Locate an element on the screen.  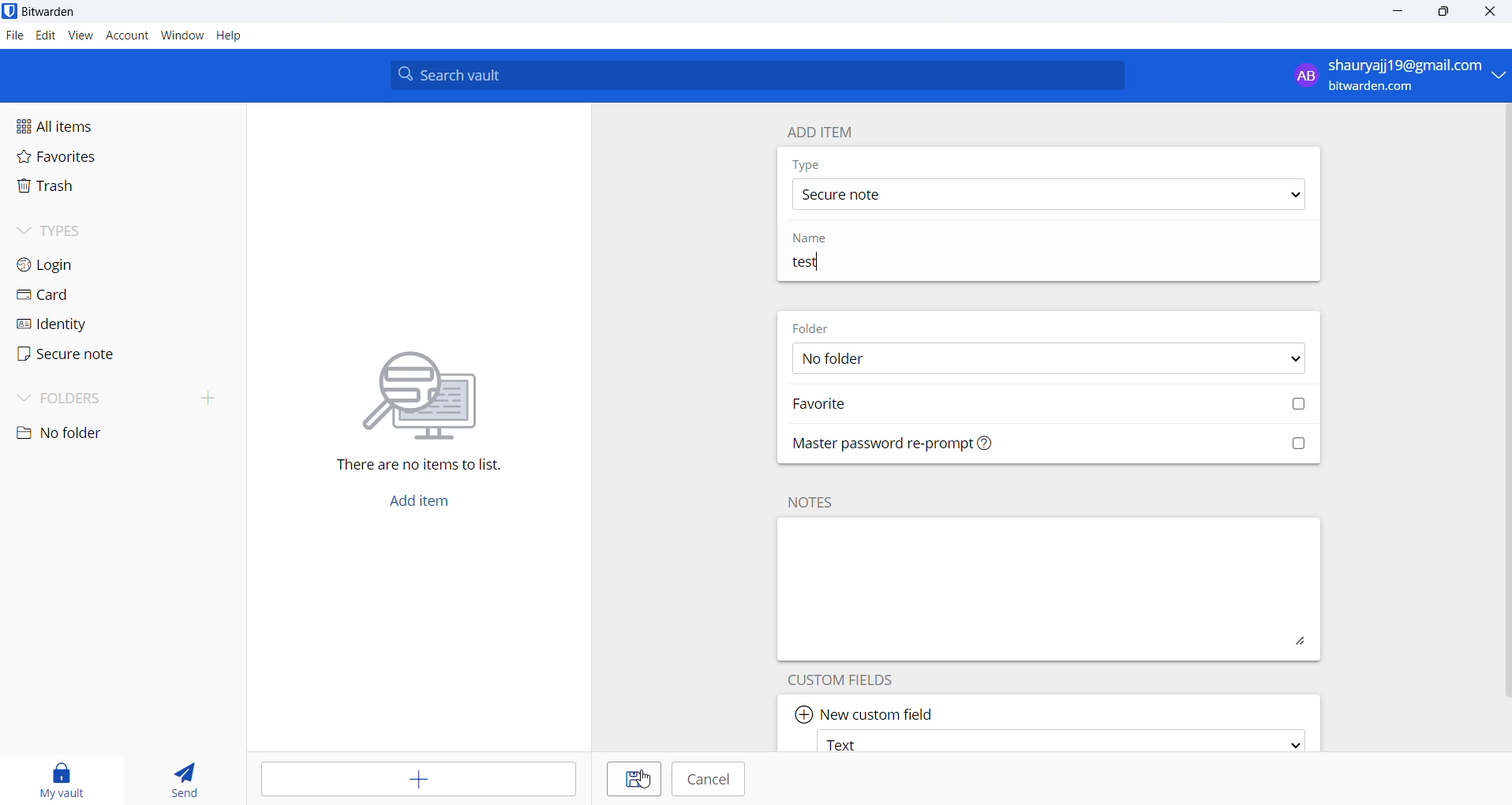
notes textarea is located at coordinates (1050, 589).